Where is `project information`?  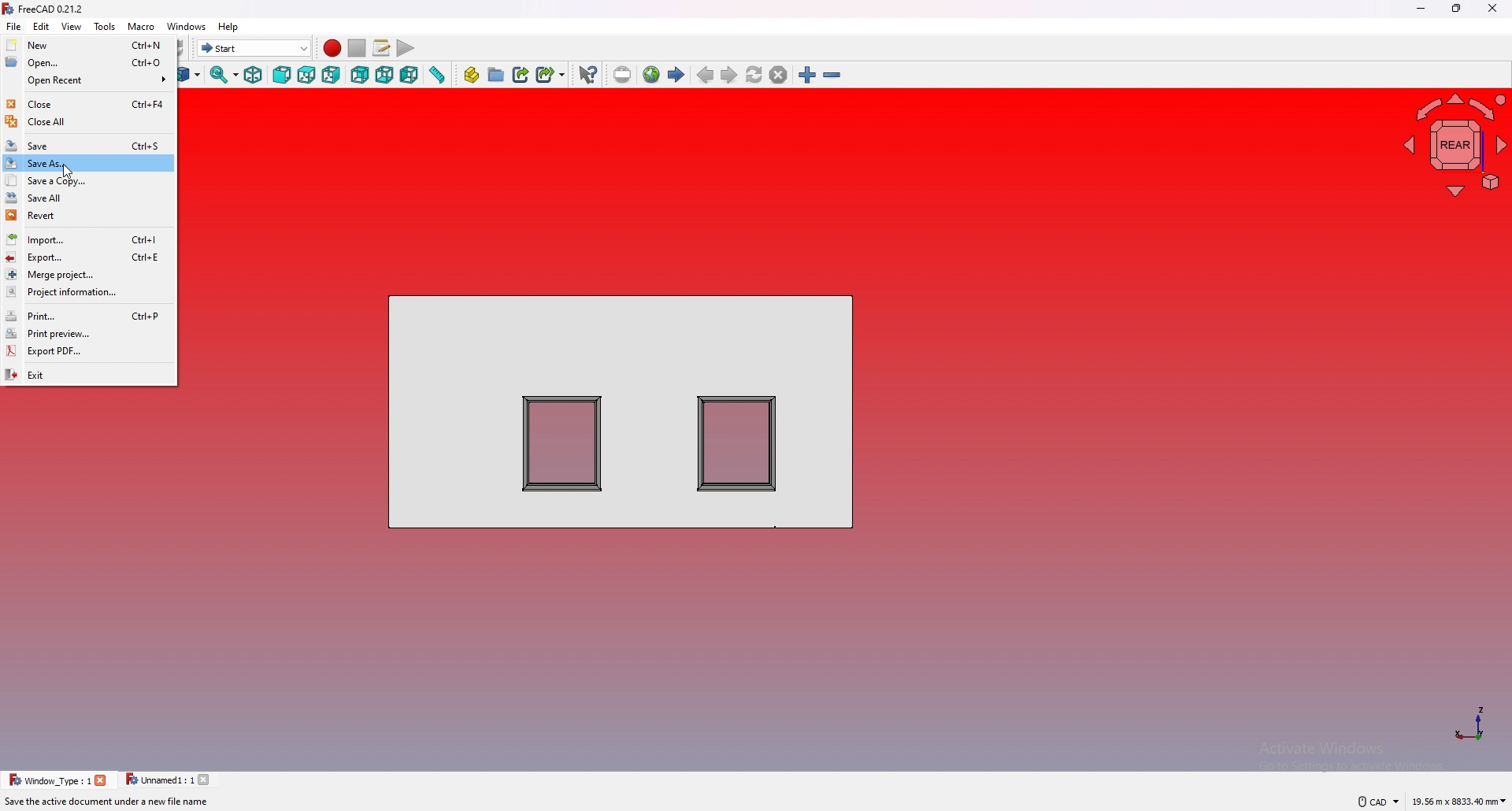
project information is located at coordinates (88, 293).